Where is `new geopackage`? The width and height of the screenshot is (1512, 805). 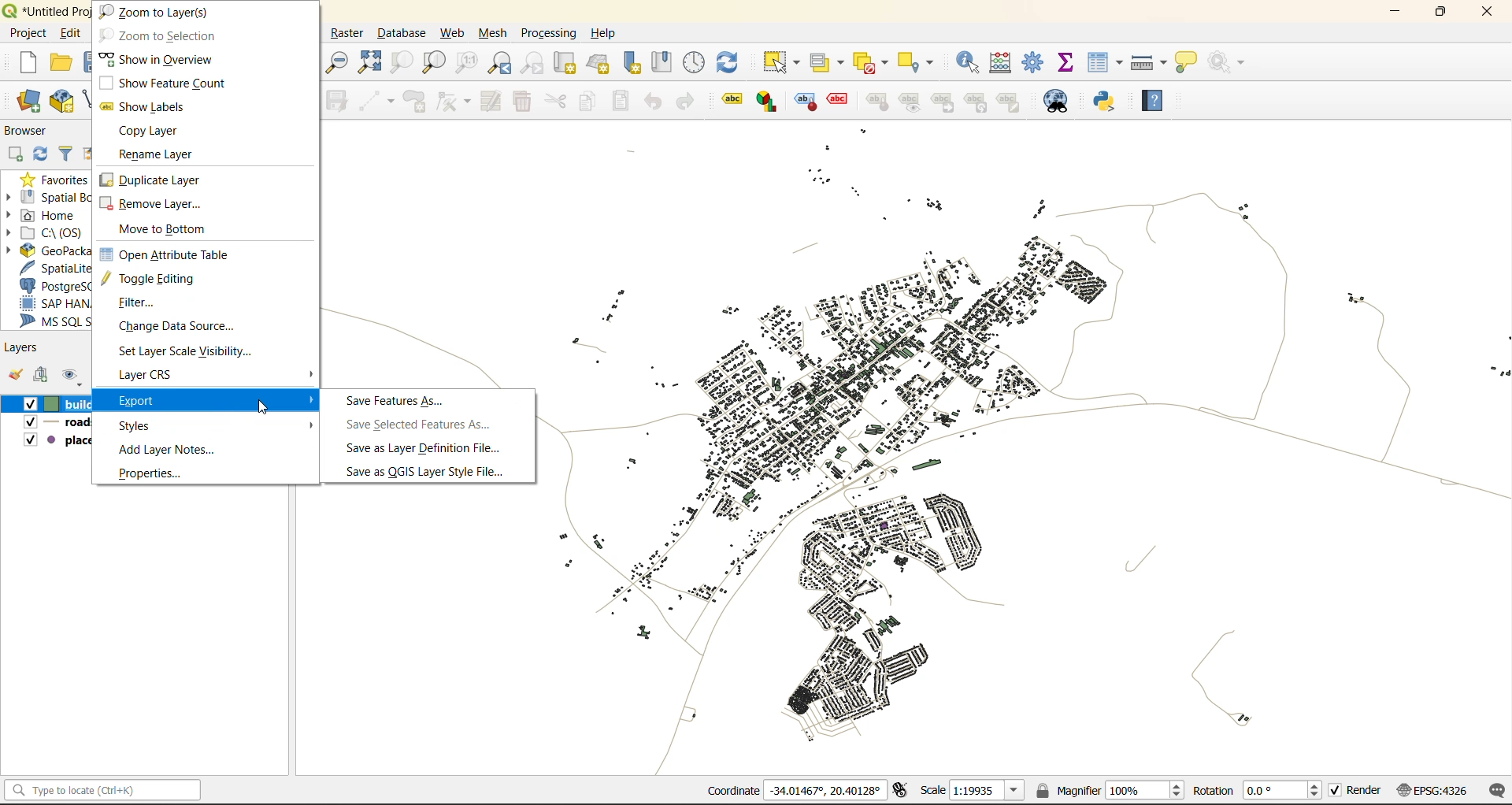
new geopackage is located at coordinates (61, 102).